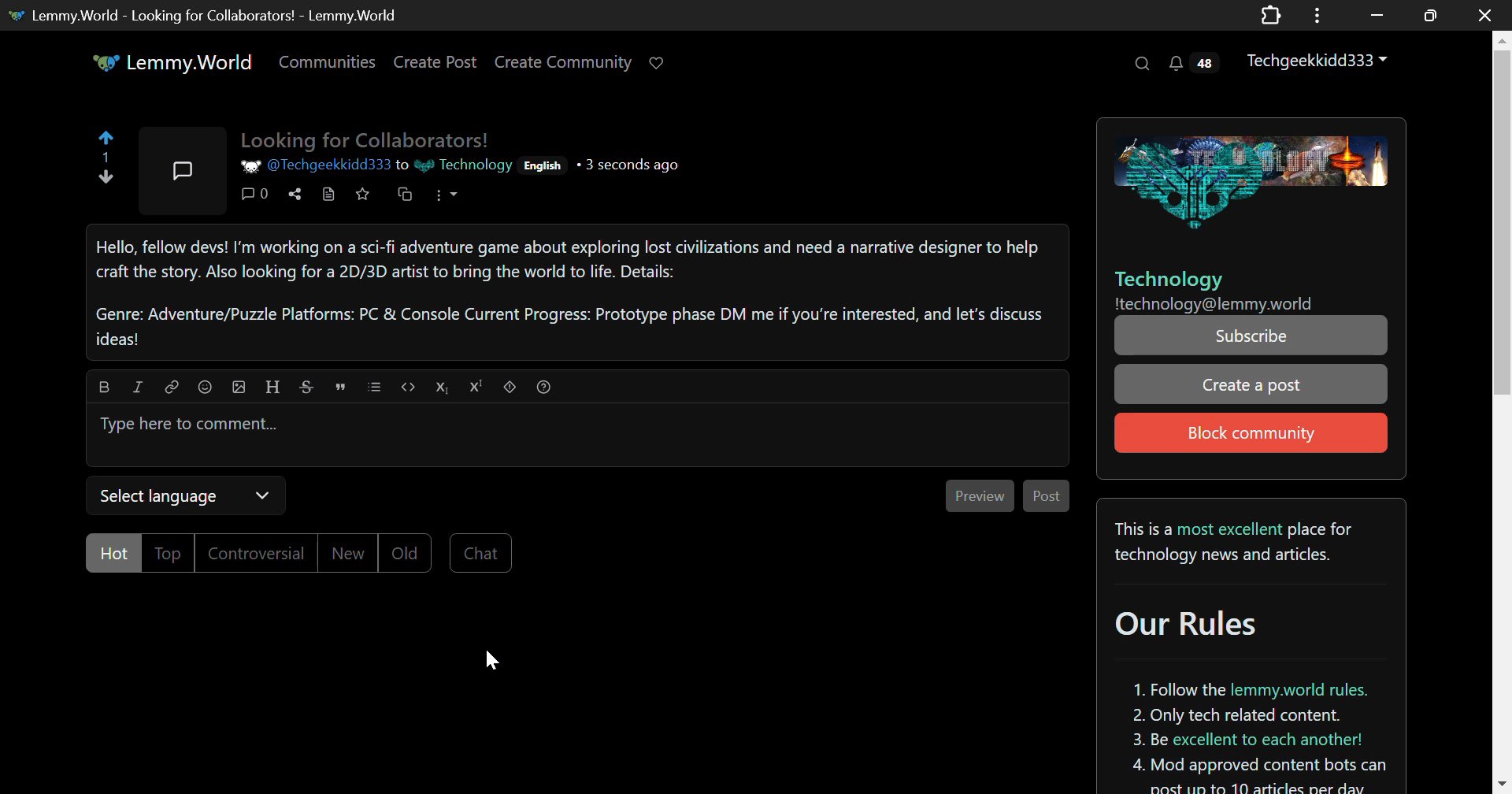  I want to click on !technology@lemmy.world, so click(1228, 305).